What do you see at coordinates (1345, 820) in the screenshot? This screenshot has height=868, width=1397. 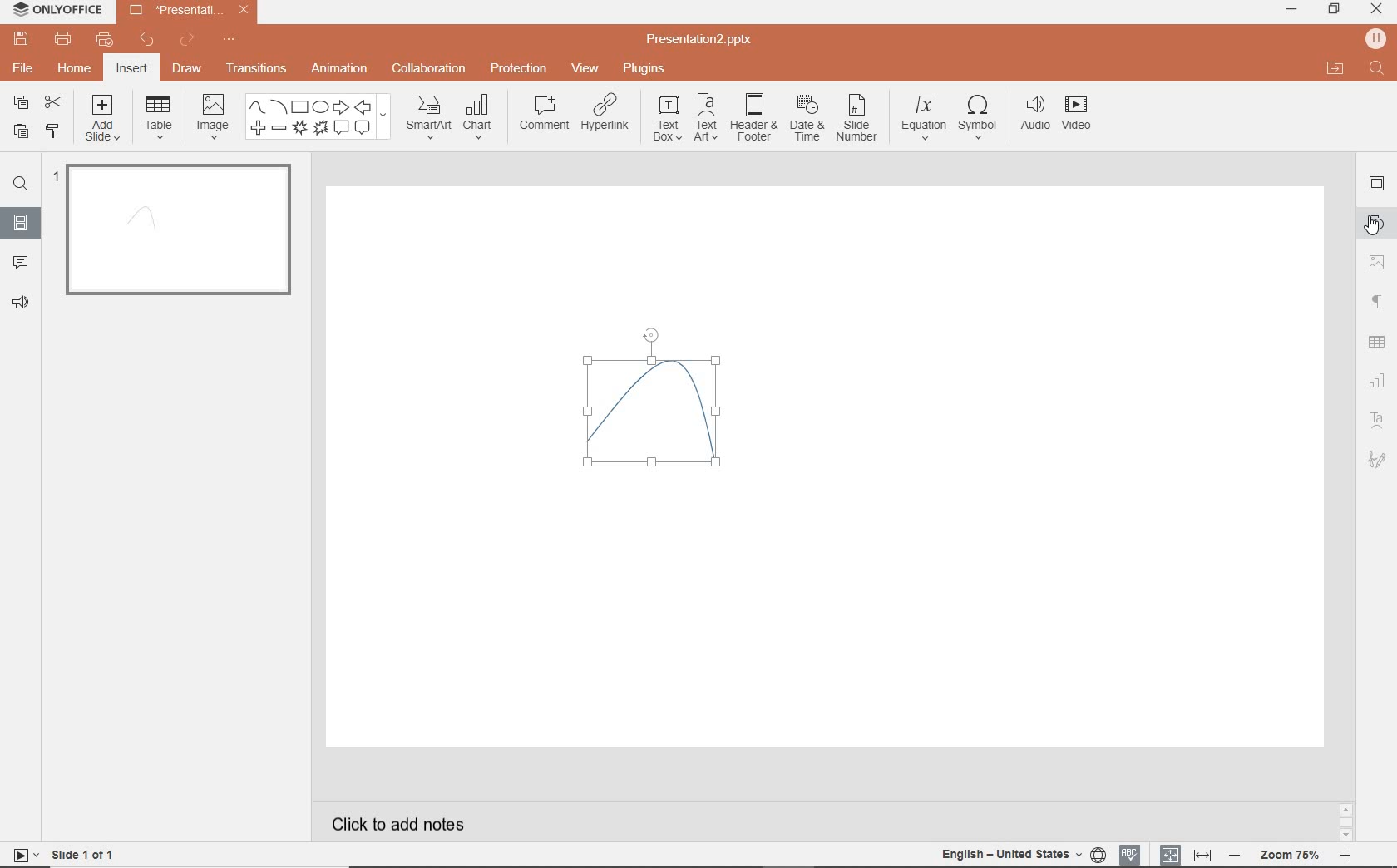 I see `SCROLLBAR` at bounding box center [1345, 820].